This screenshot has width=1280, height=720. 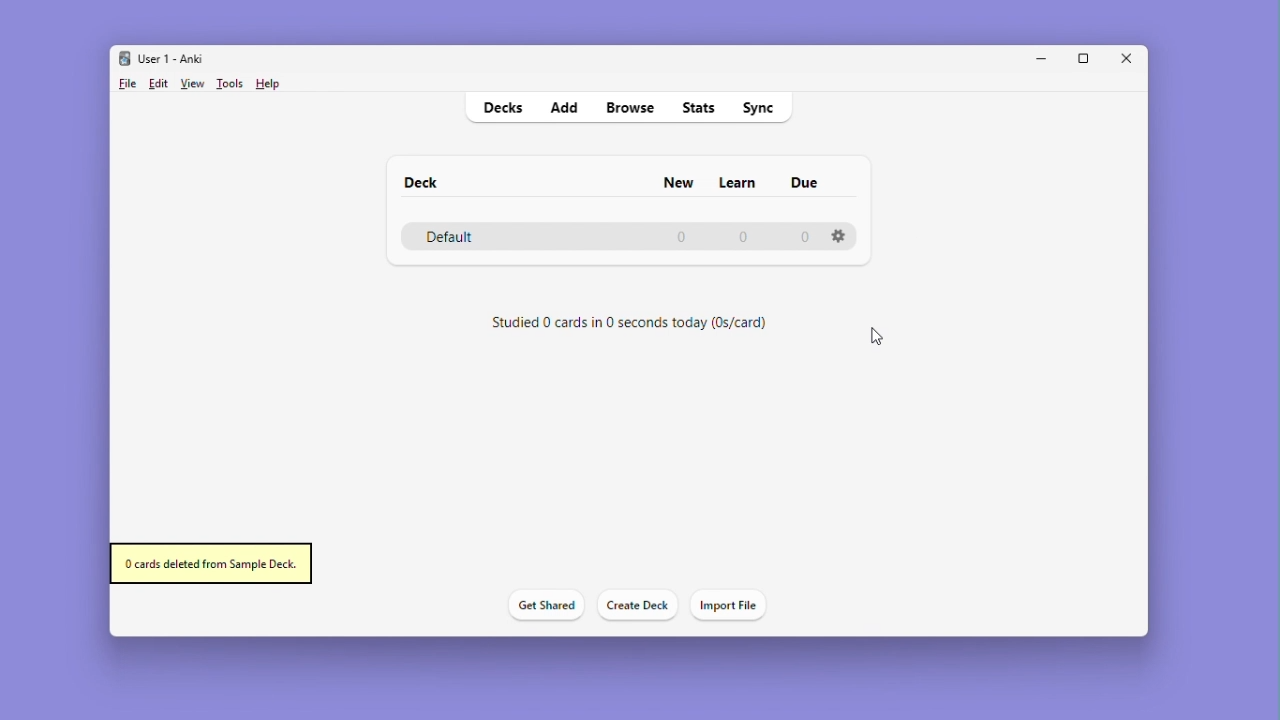 What do you see at coordinates (265, 85) in the screenshot?
I see `Help ` at bounding box center [265, 85].